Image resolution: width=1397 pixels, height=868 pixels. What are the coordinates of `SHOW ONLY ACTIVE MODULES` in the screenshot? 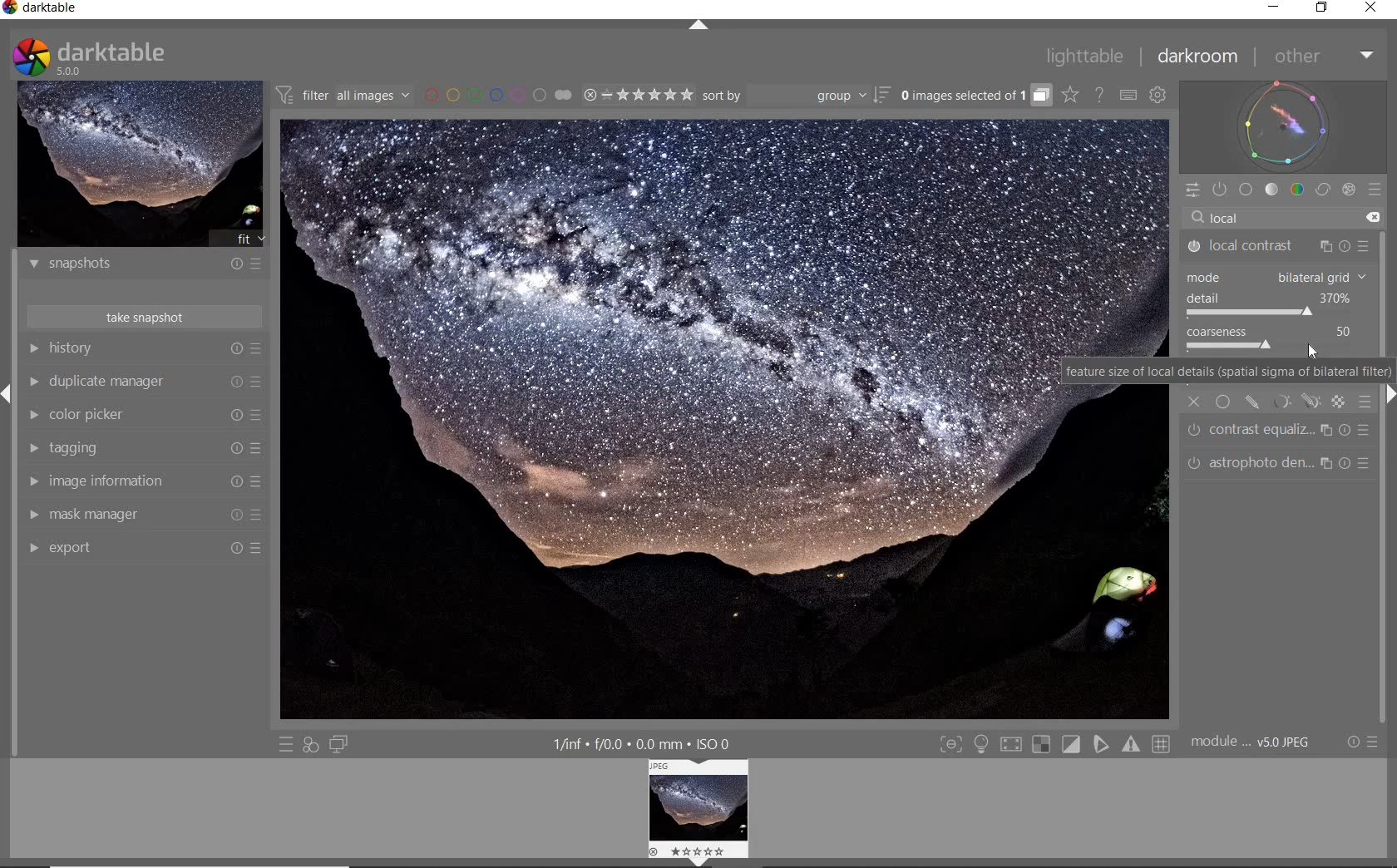 It's located at (1220, 189).